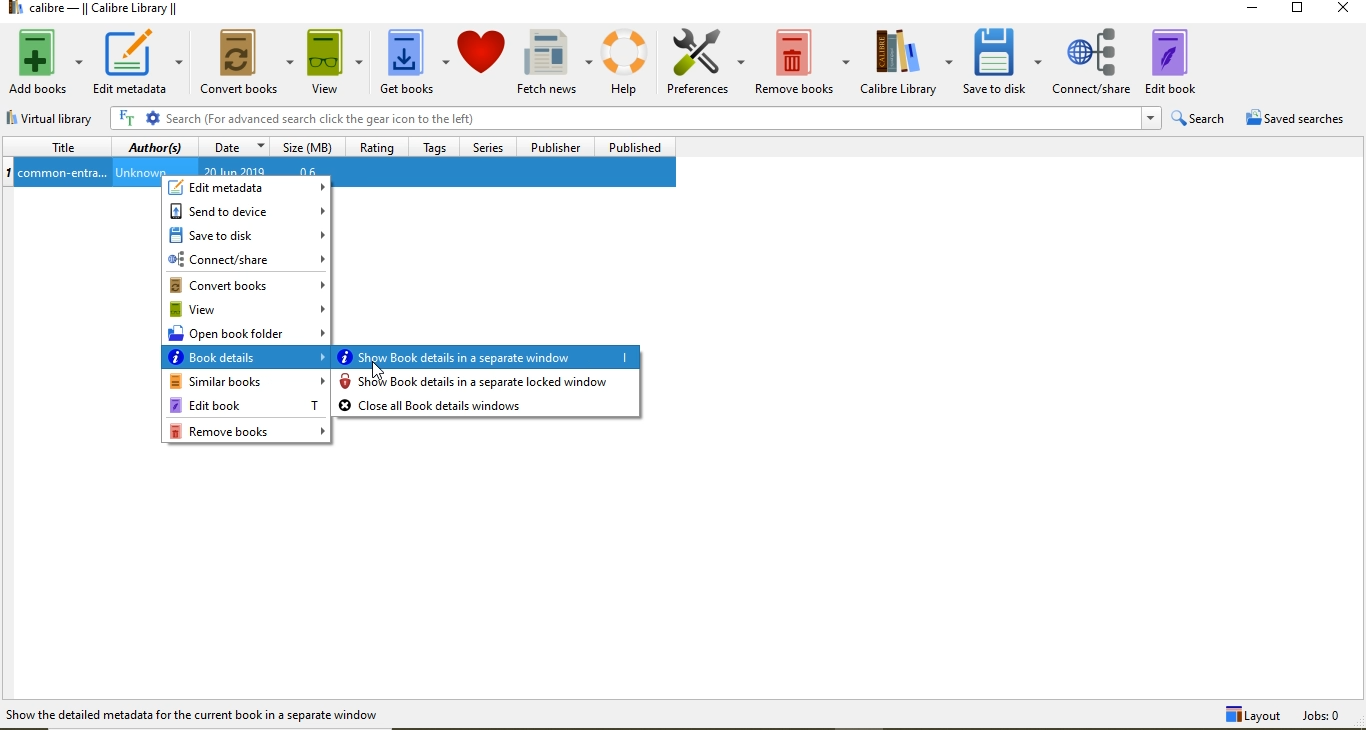 The width and height of the screenshot is (1366, 730). What do you see at coordinates (557, 60) in the screenshot?
I see `fetch news` at bounding box center [557, 60].